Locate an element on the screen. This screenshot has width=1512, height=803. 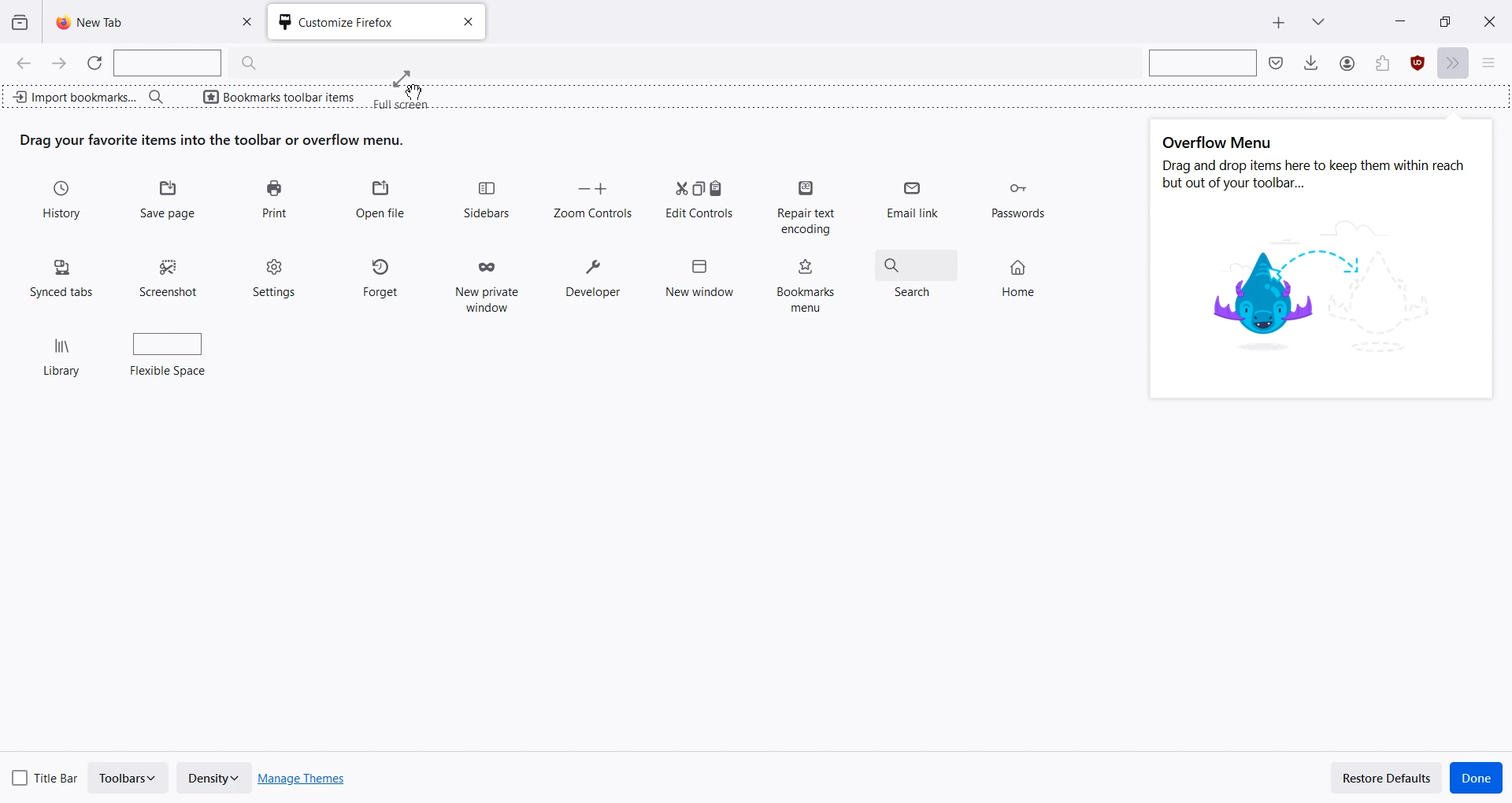
Density is located at coordinates (213, 778).